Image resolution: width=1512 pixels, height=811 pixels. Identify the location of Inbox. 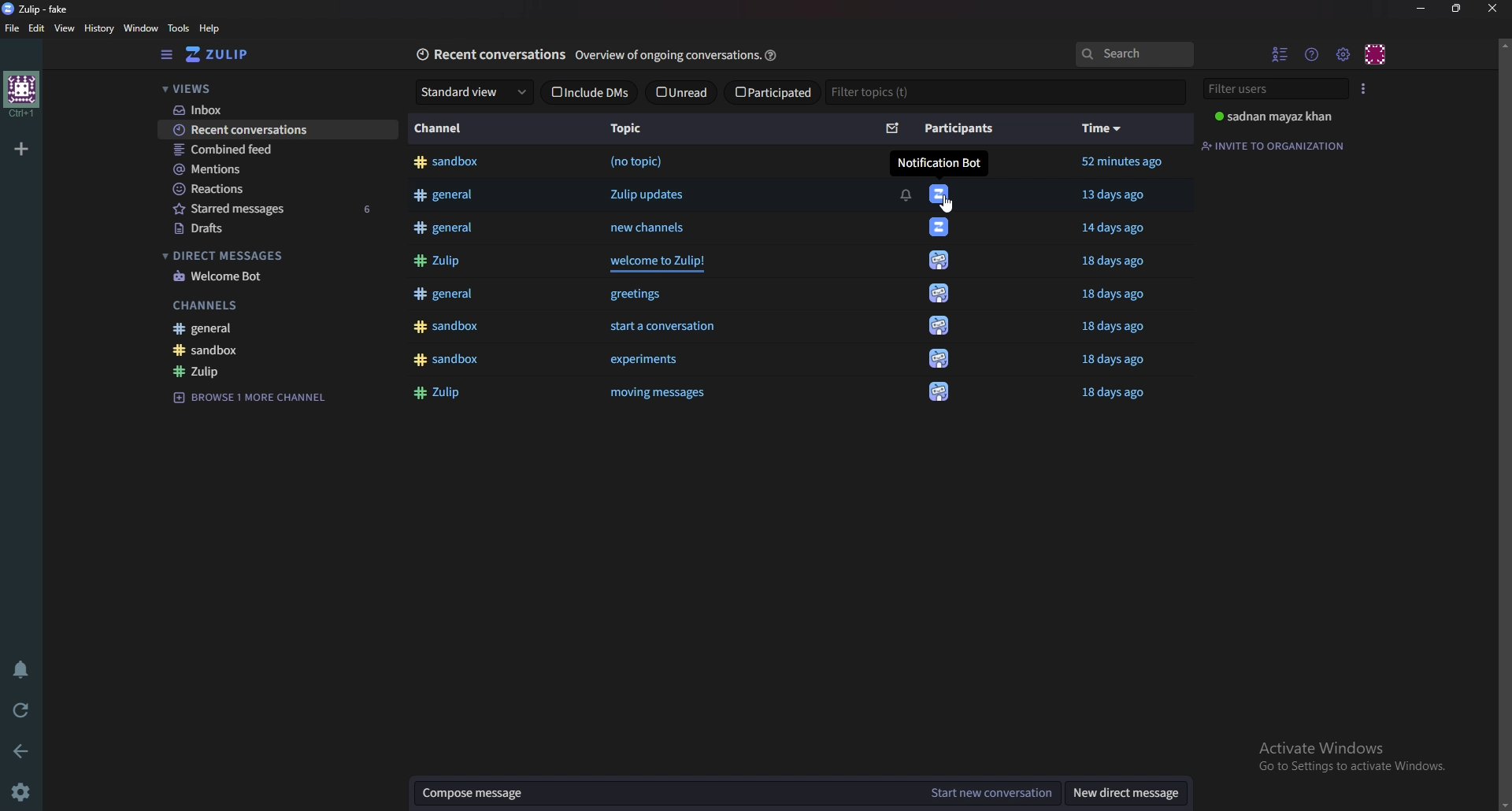
(272, 111).